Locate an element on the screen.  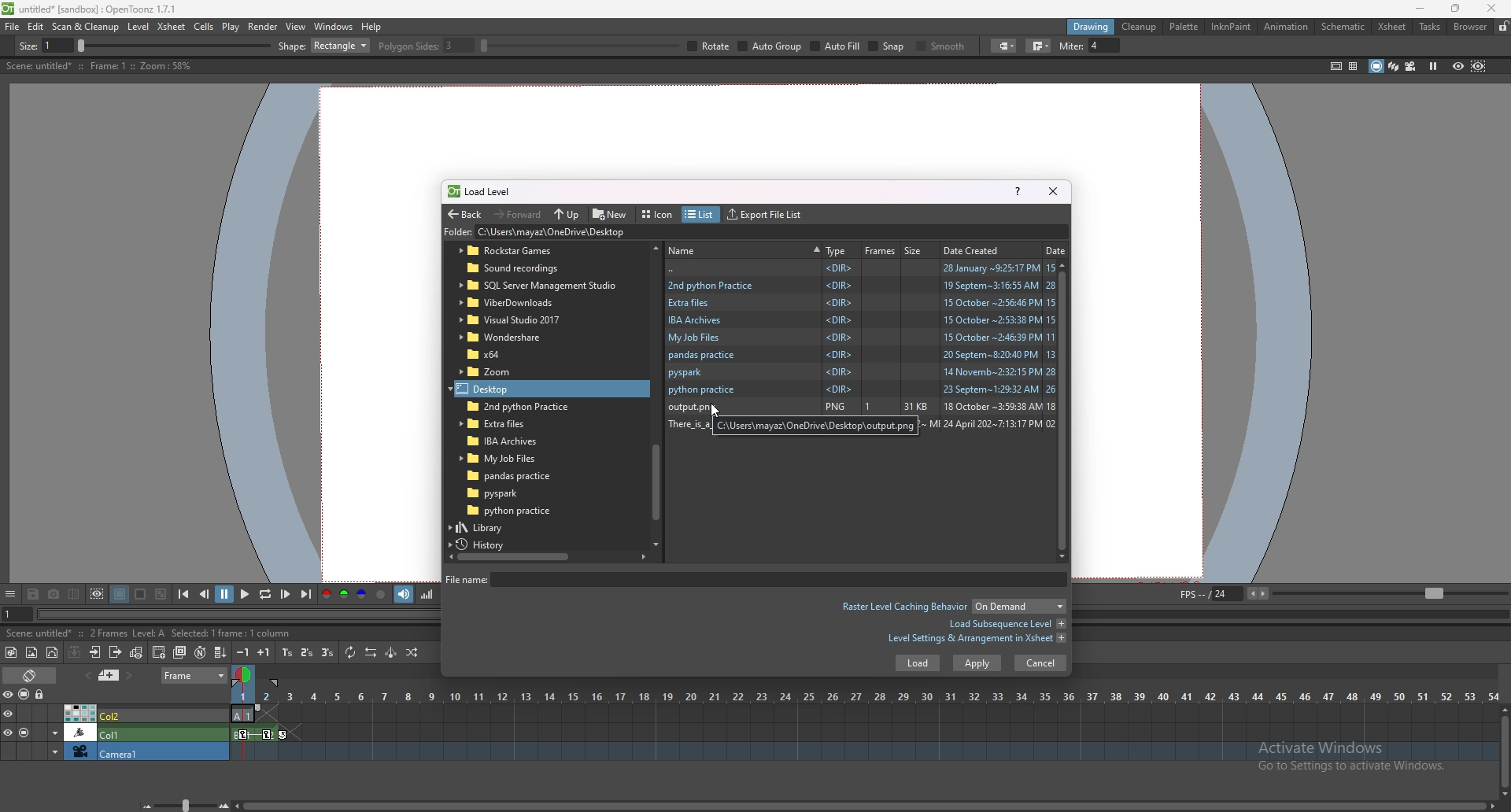
thickness is located at coordinates (163, 46).